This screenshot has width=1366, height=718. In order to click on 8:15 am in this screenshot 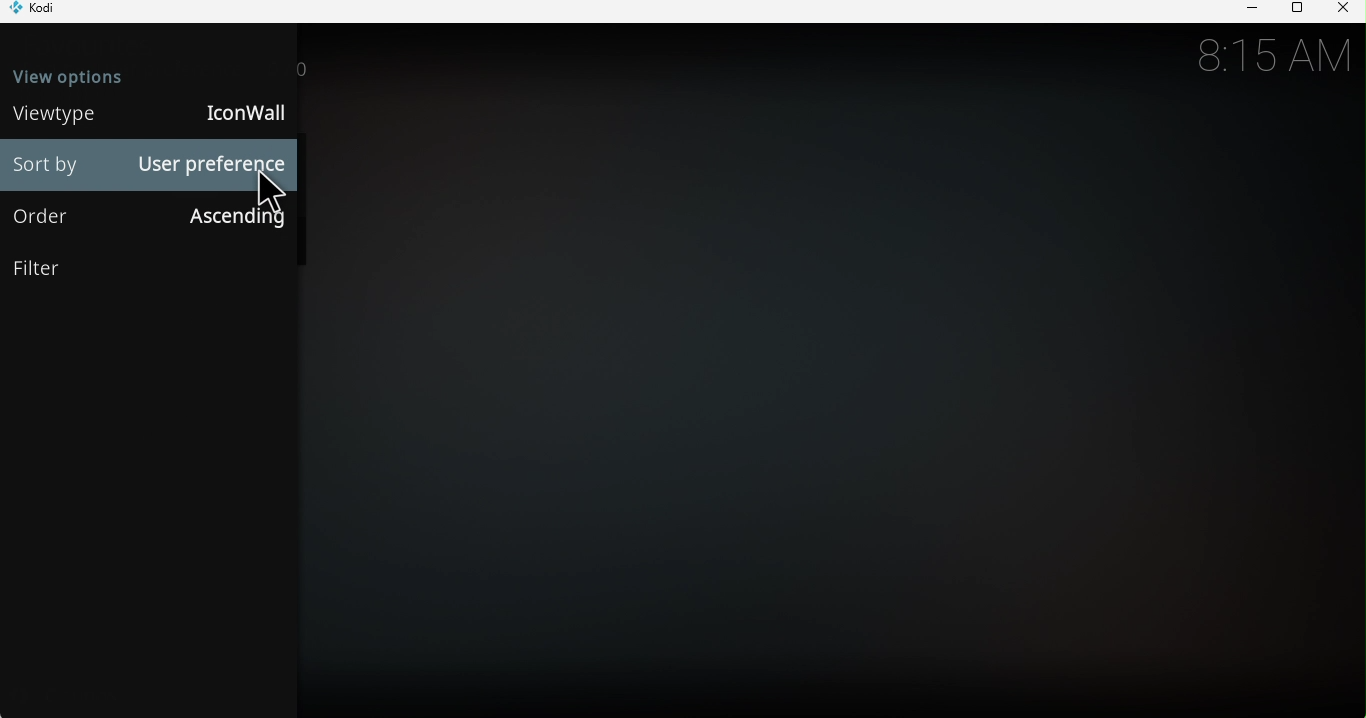, I will do `click(1271, 56)`.